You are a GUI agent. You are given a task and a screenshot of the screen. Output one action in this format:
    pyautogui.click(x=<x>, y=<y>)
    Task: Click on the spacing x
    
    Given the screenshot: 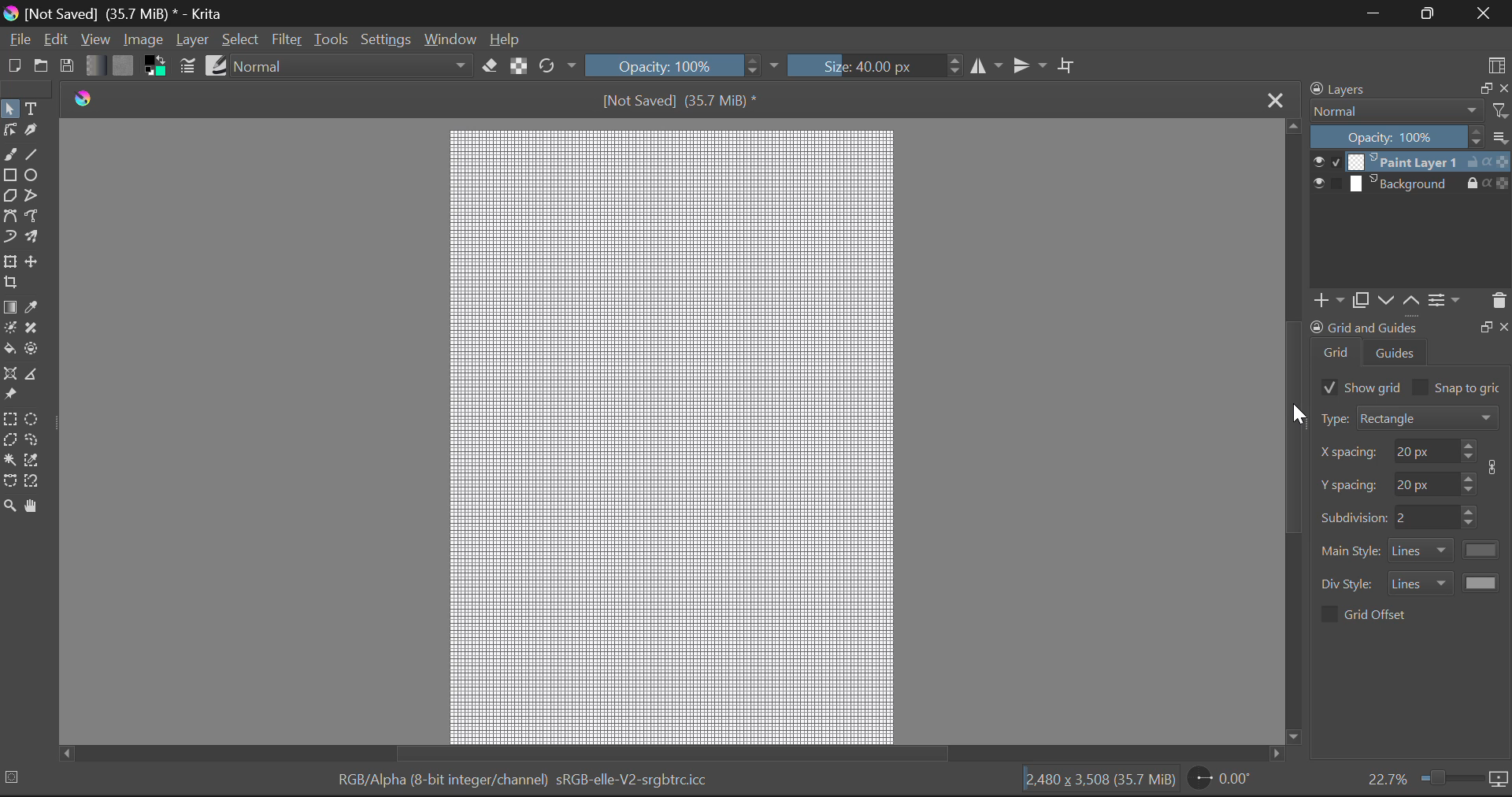 What is the action you would take?
    pyautogui.click(x=1350, y=453)
    